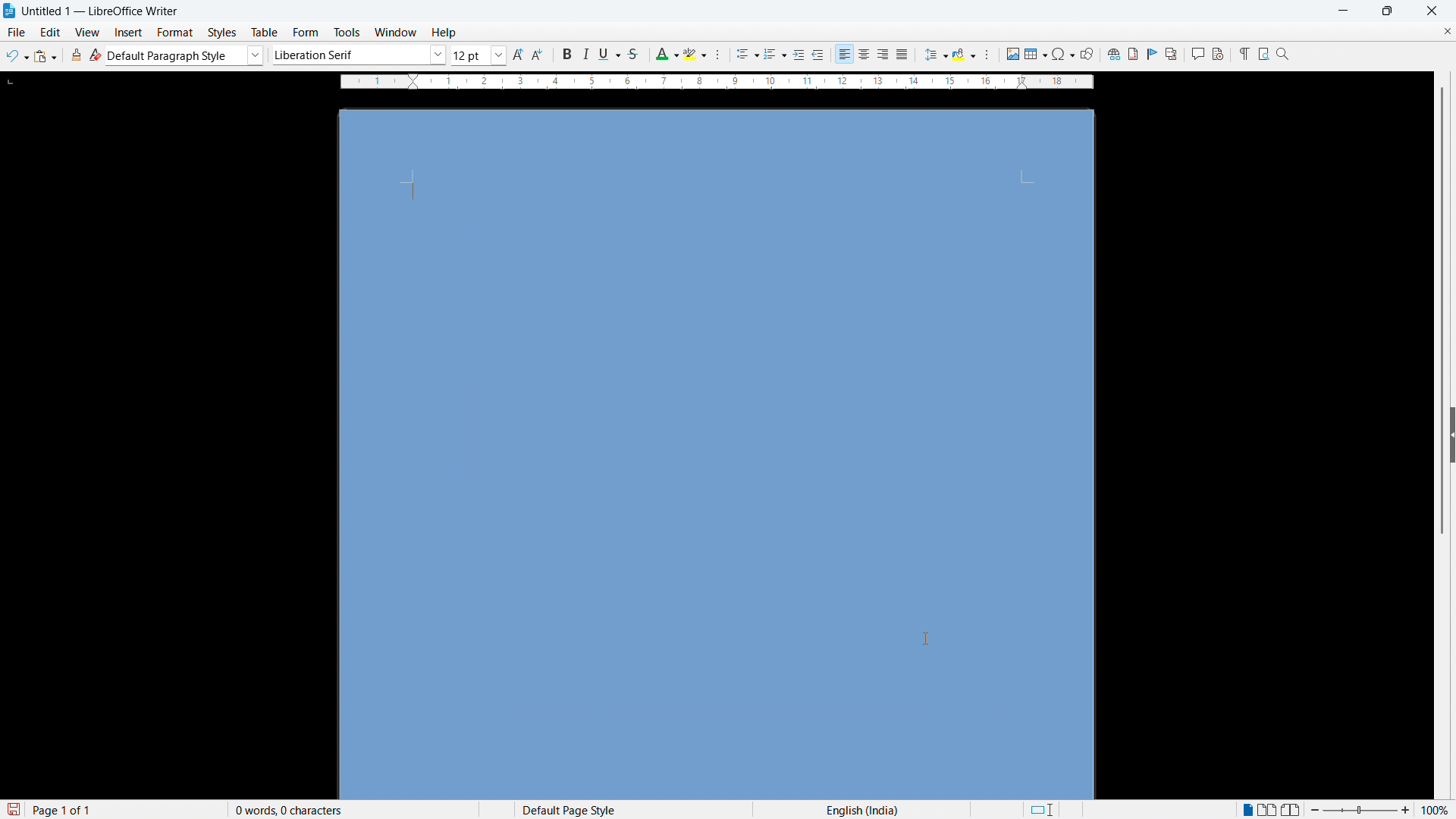 The height and width of the screenshot is (819, 1456). Describe the element at coordinates (290, 810) in the screenshot. I see `0 words, 0 characters` at that location.